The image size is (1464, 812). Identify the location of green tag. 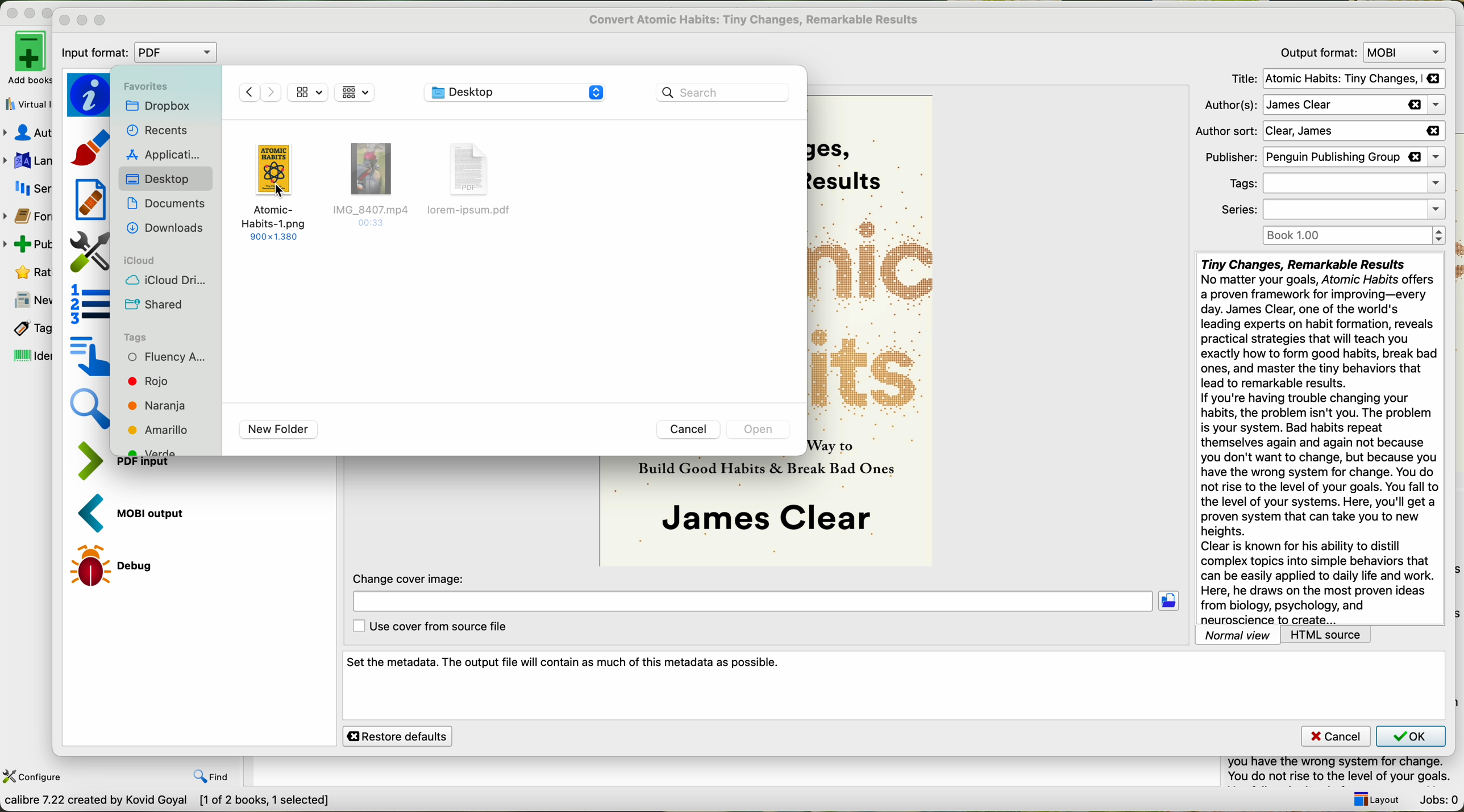
(164, 450).